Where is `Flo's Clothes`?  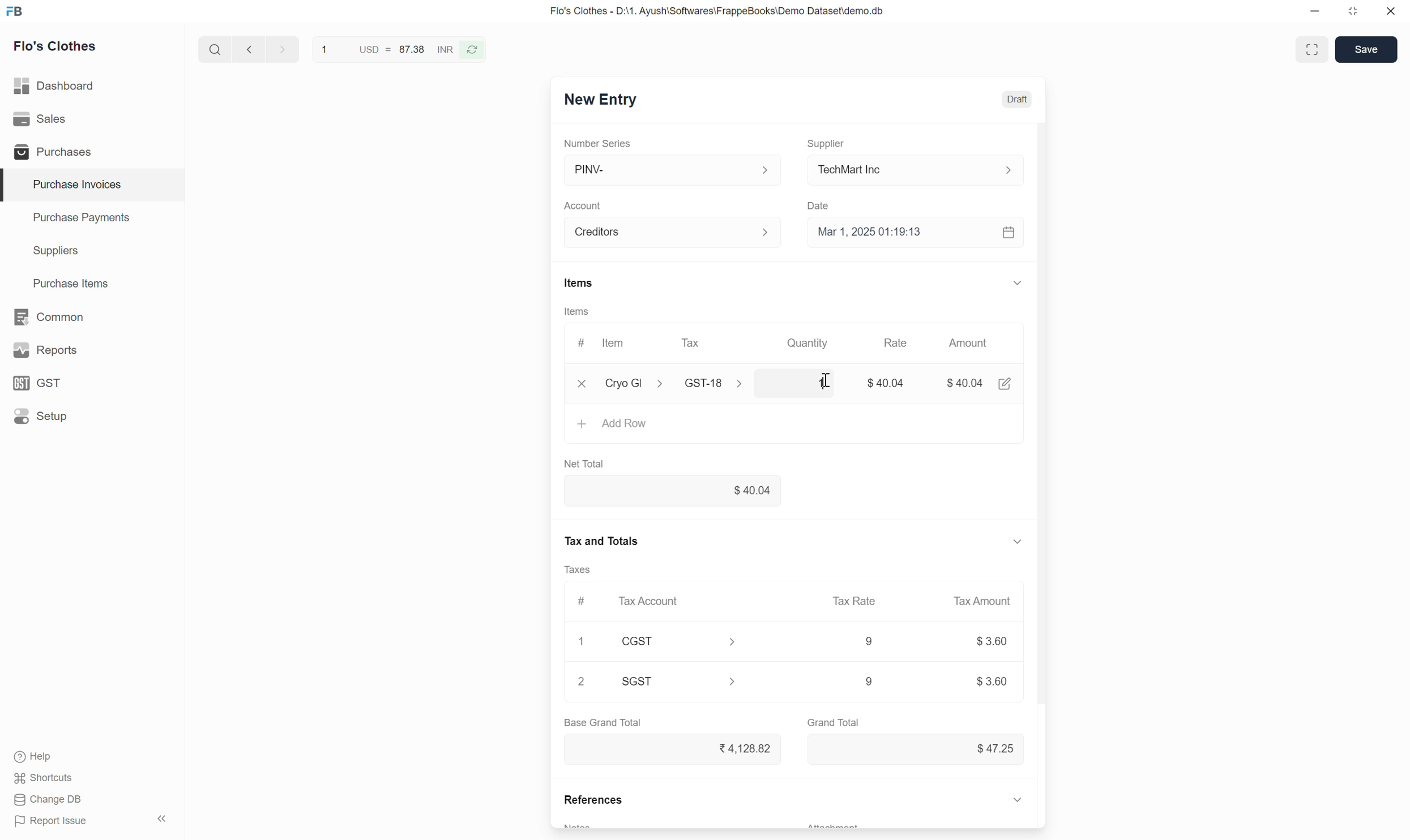
Flo's Clothes is located at coordinates (57, 48).